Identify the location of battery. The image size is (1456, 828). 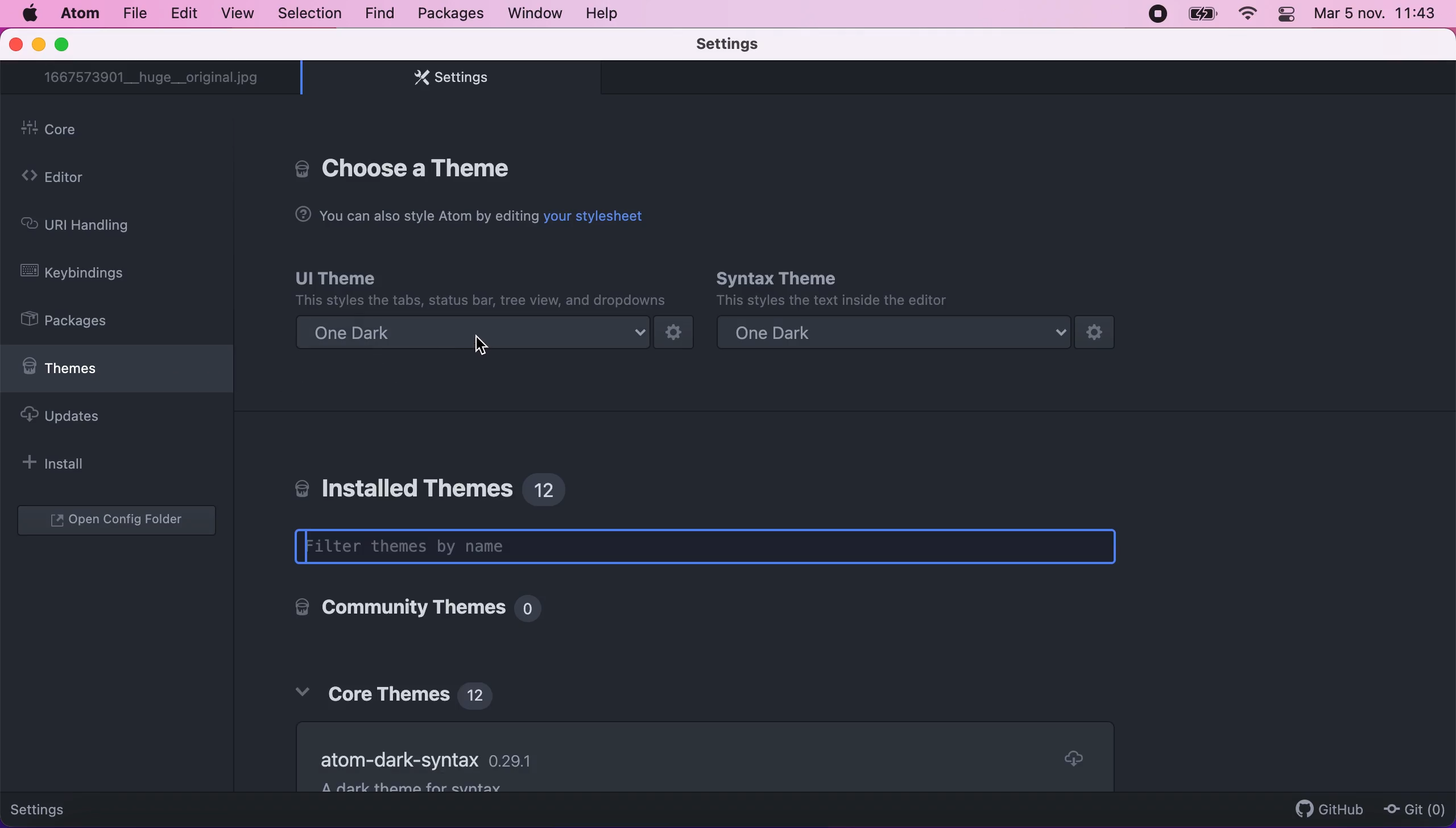
(1201, 16).